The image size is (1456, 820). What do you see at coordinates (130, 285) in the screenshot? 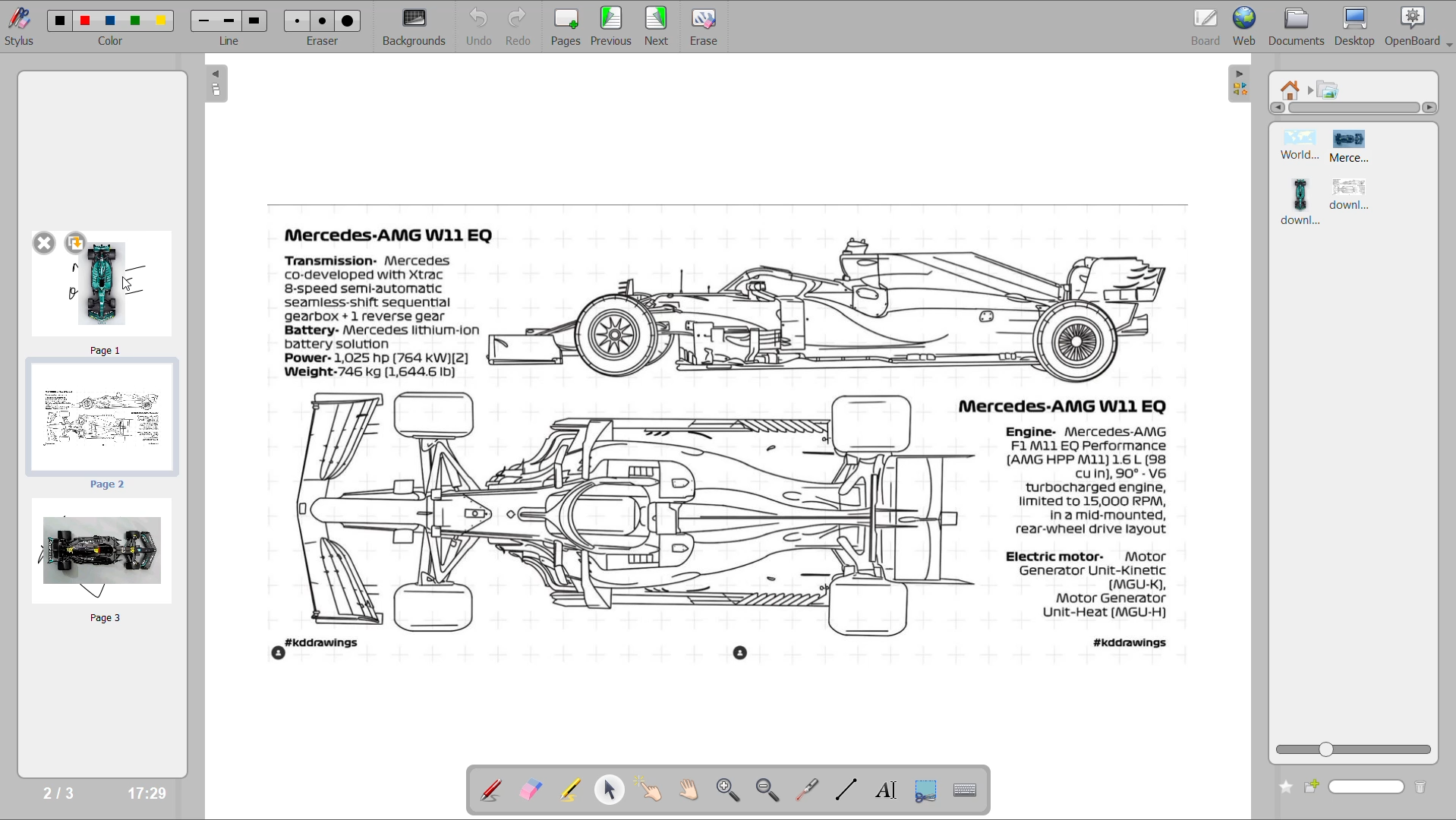
I see `cursor` at bounding box center [130, 285].